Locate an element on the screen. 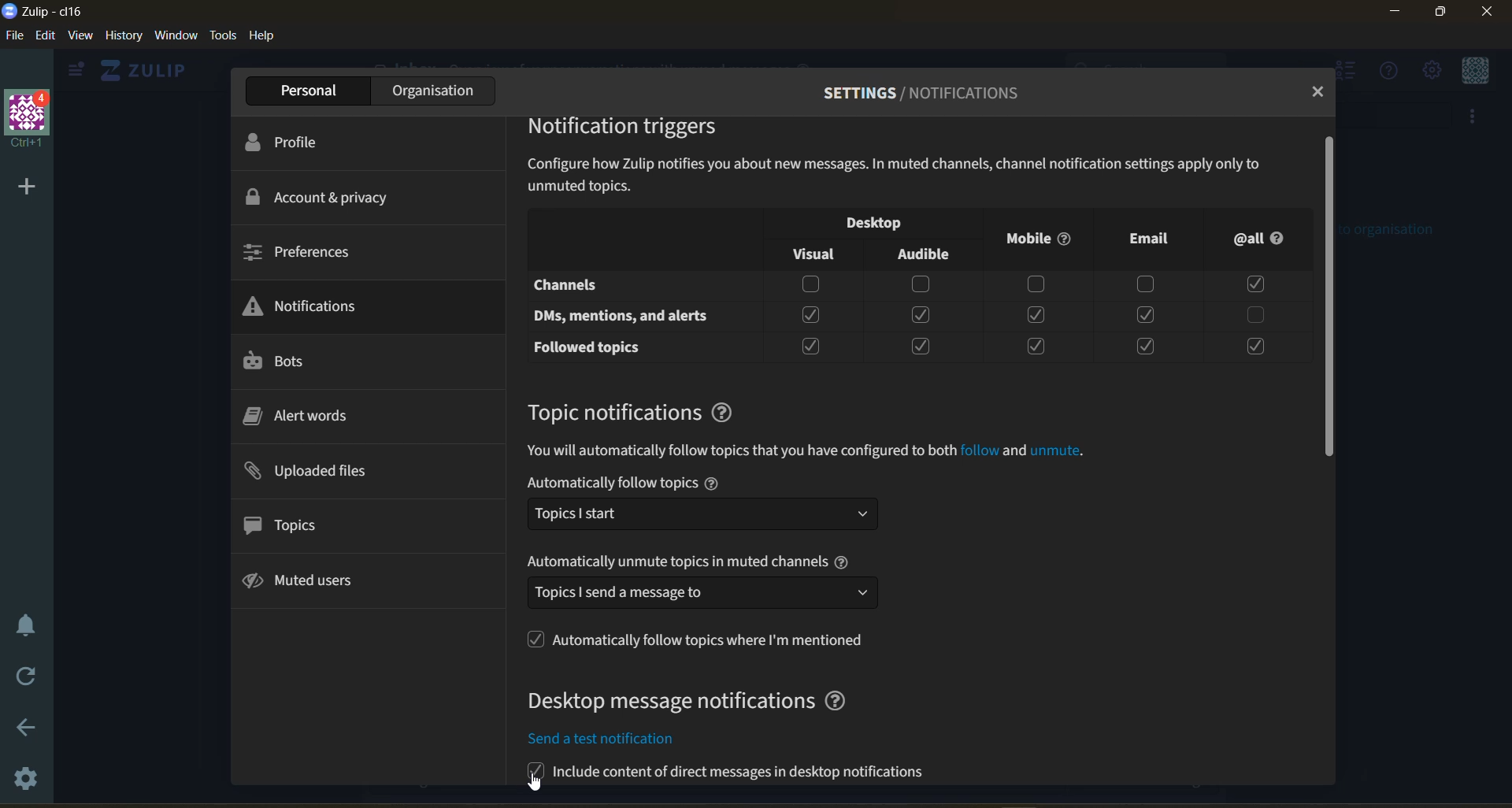  notification triggers is located at coordinates (628, 129).